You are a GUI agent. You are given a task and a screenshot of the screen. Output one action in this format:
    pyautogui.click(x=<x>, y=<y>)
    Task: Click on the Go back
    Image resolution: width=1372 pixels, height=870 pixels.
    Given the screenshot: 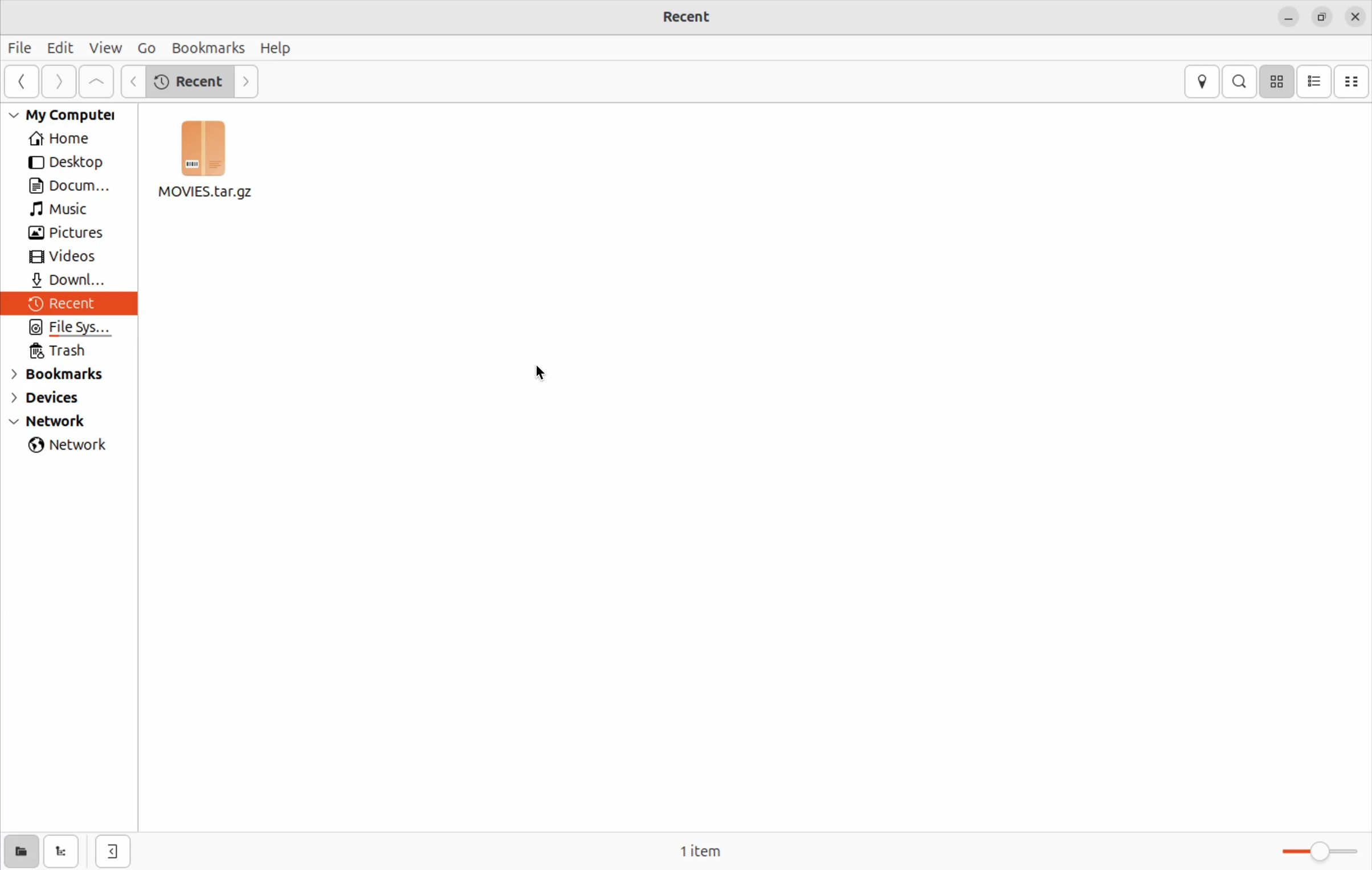 What is the action you would take?
    pyautogui.click(x=134, y=80)
    